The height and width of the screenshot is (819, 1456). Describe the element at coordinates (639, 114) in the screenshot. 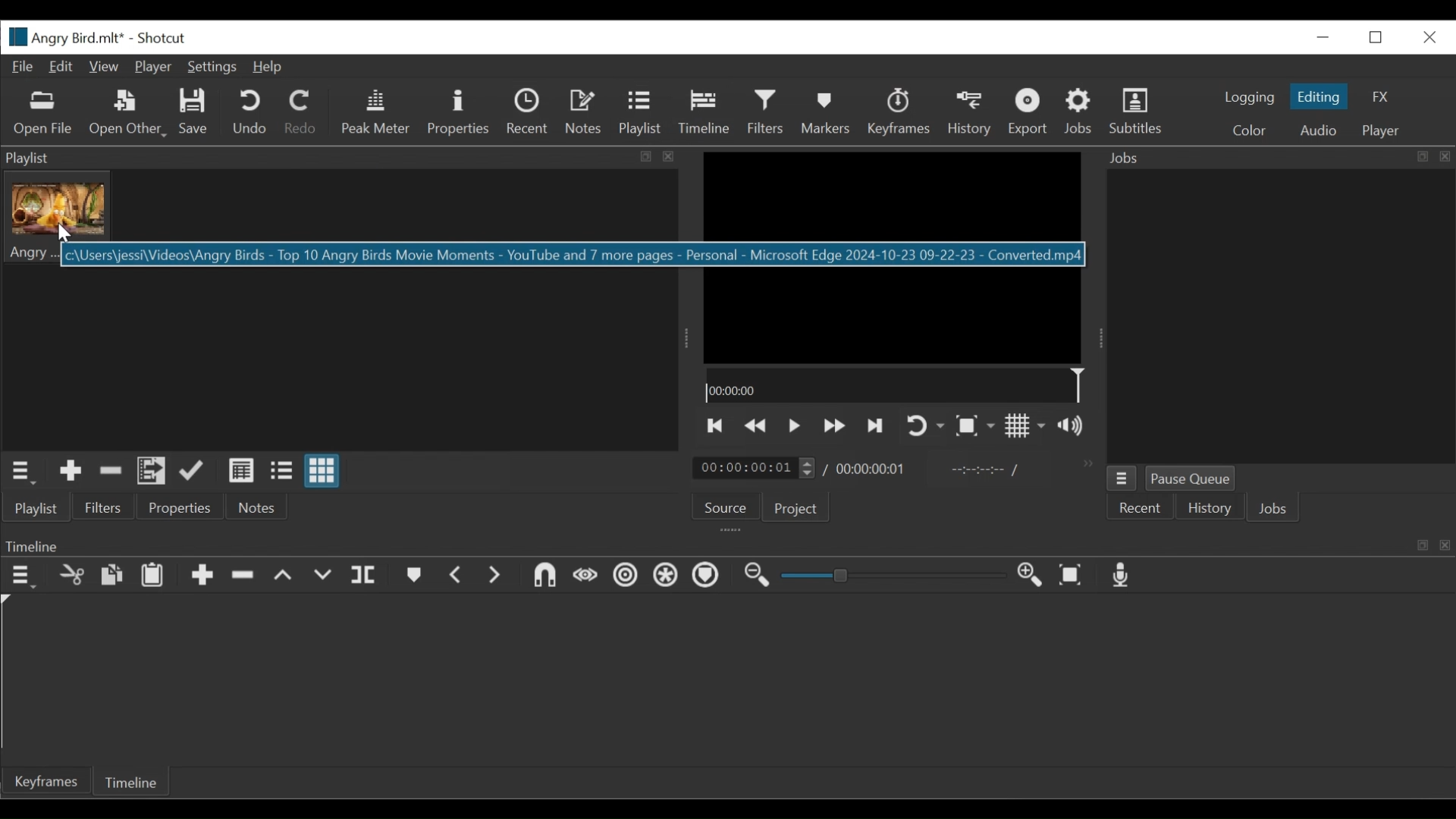

I see `Playlist` at that location.